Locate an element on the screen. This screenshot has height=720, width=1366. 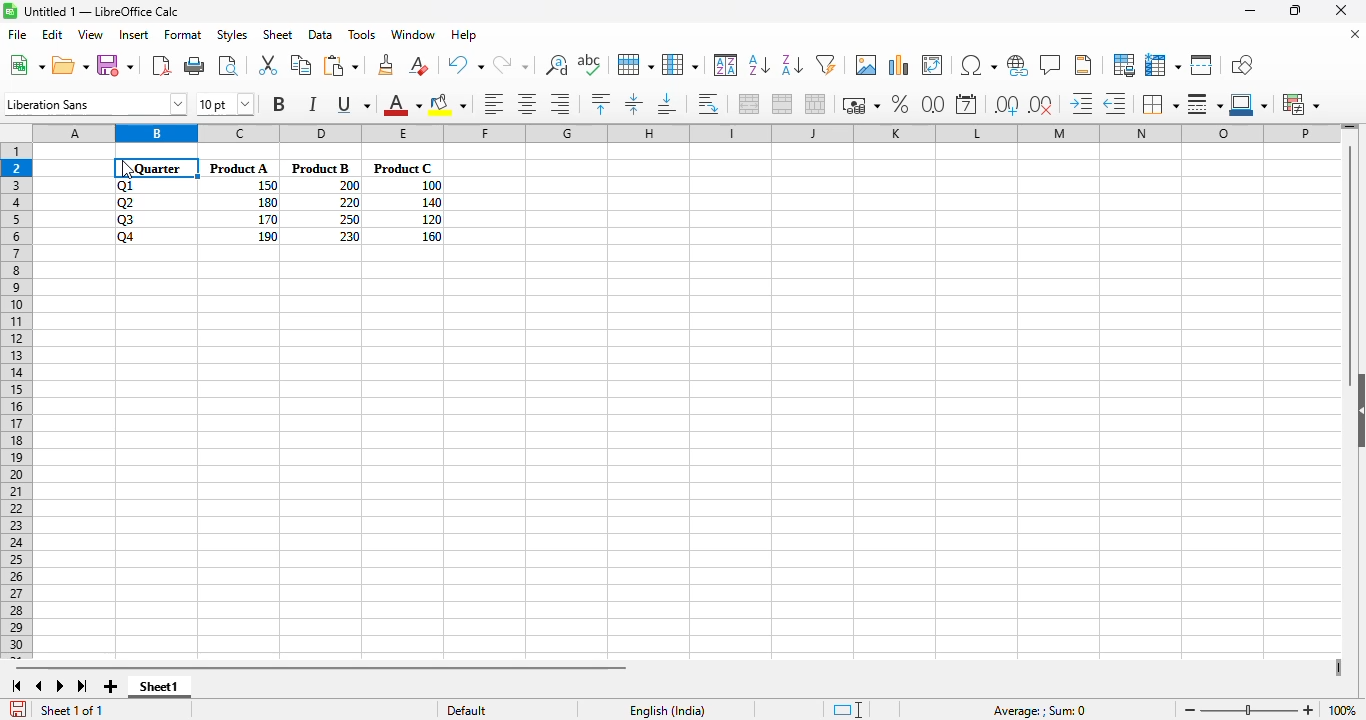
view is located at coordinates (90, 34).